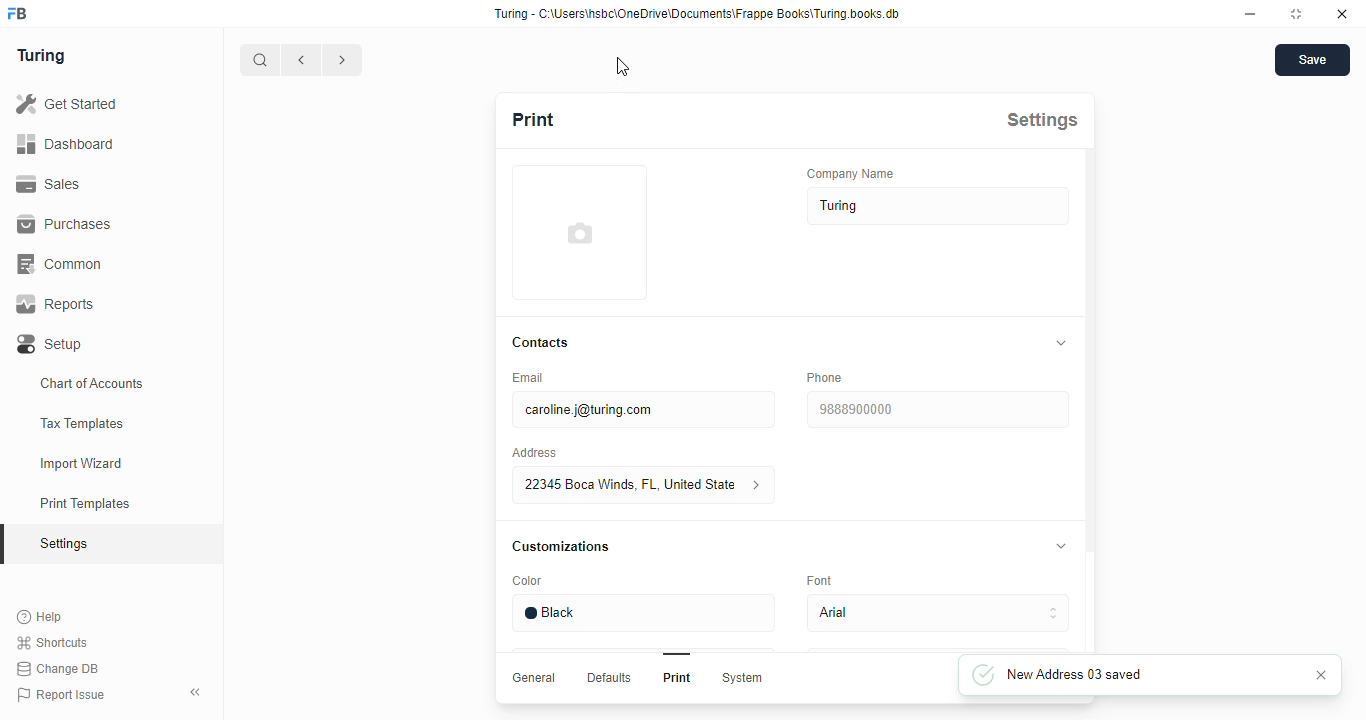  Describe the element at coordinates (61, 695) in the screenshot. I see `report issue` at that location.